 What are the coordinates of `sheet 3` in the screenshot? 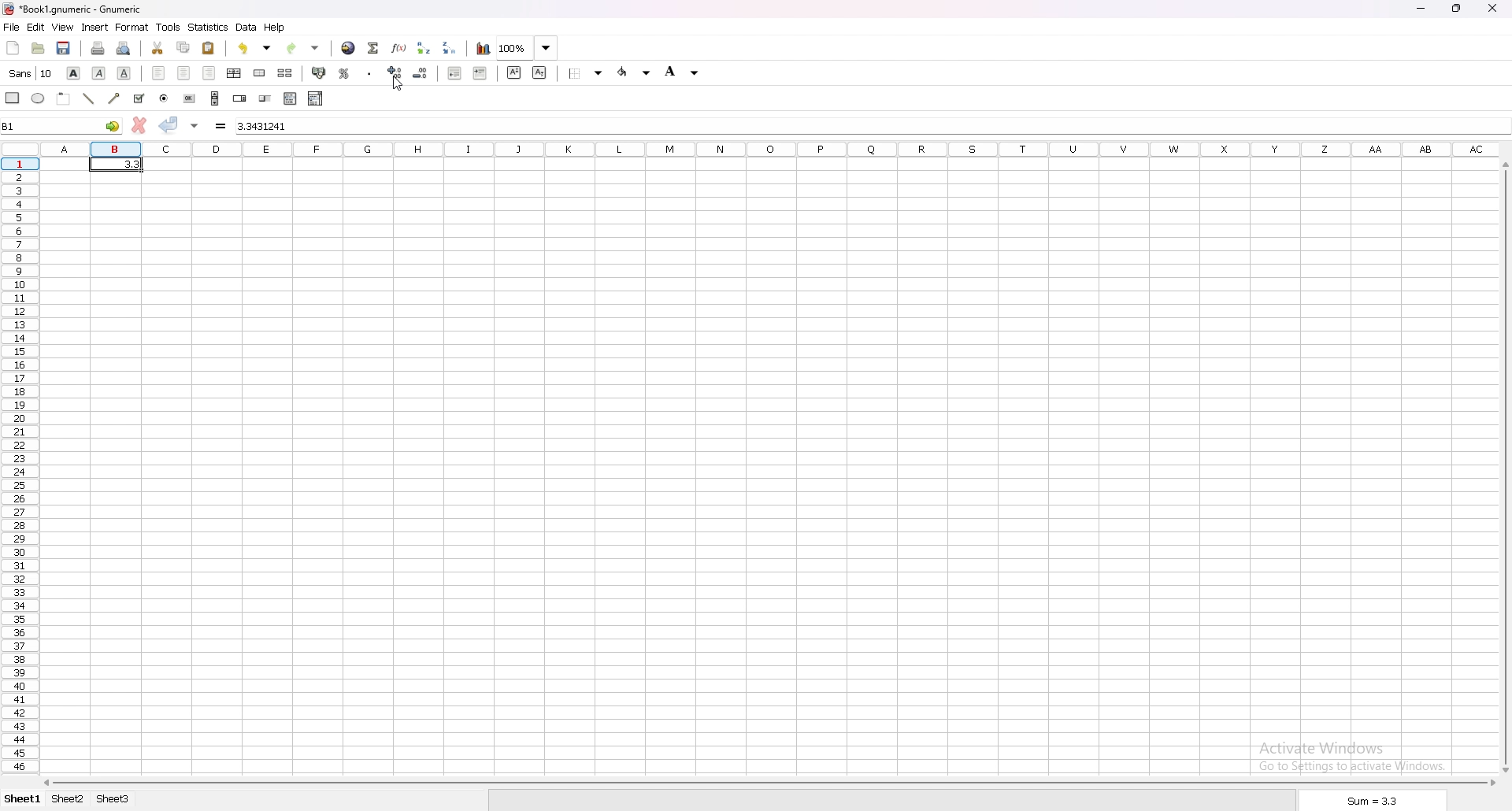 It's located at (113, 798).